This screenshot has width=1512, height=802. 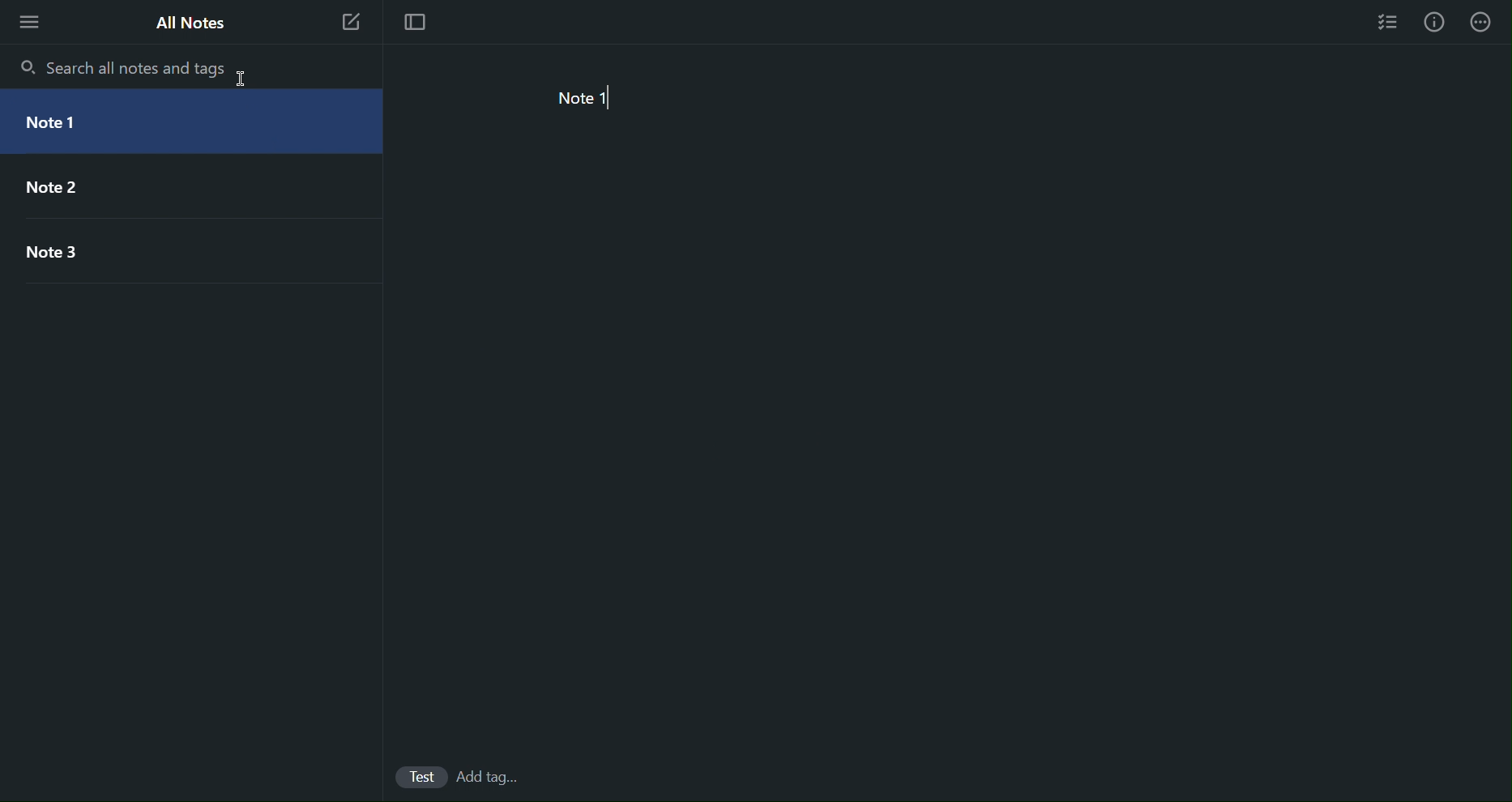 I want to click on Info, so click(x=1434, y=21).